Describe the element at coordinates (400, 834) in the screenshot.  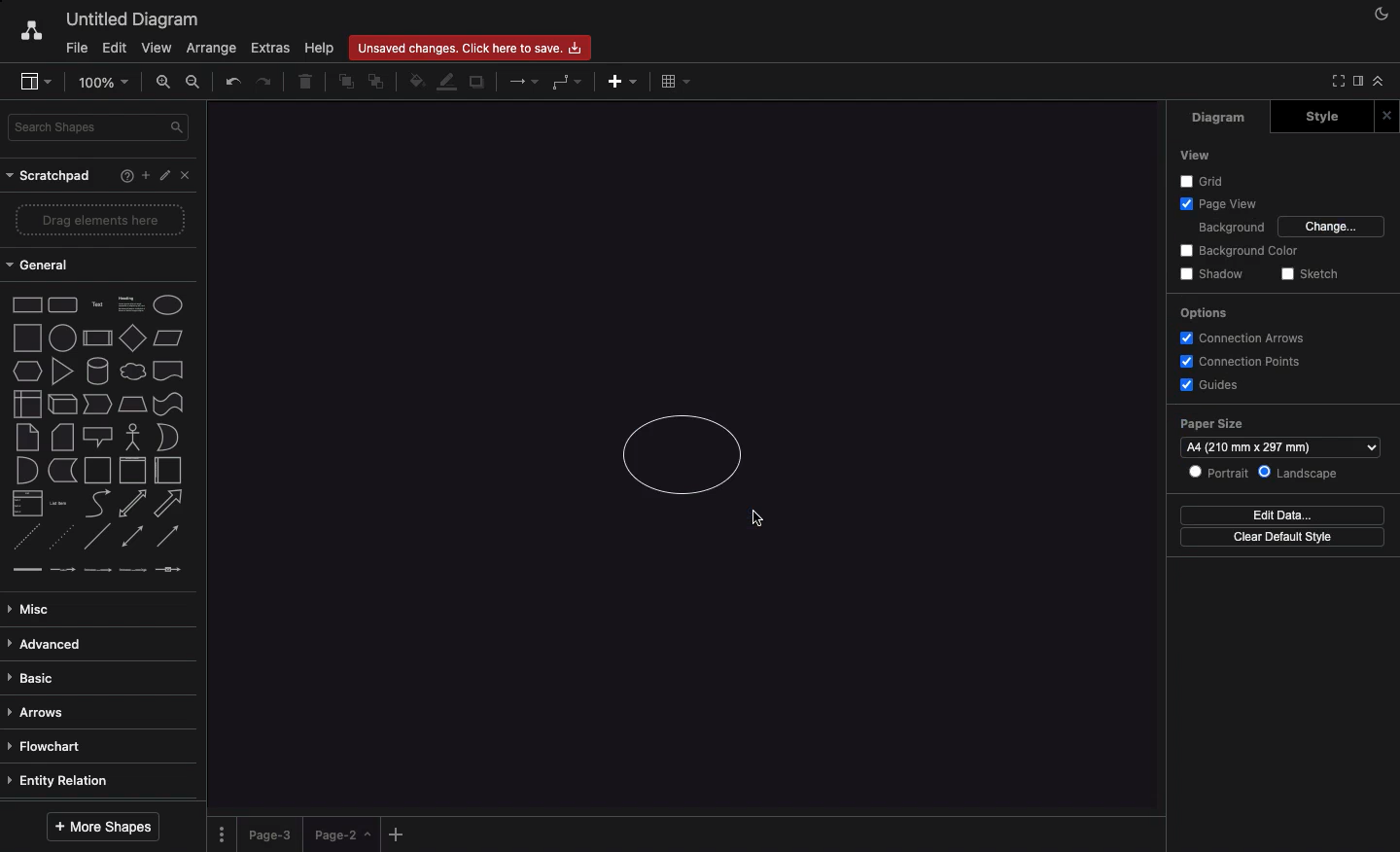
I see `Add` at that location.